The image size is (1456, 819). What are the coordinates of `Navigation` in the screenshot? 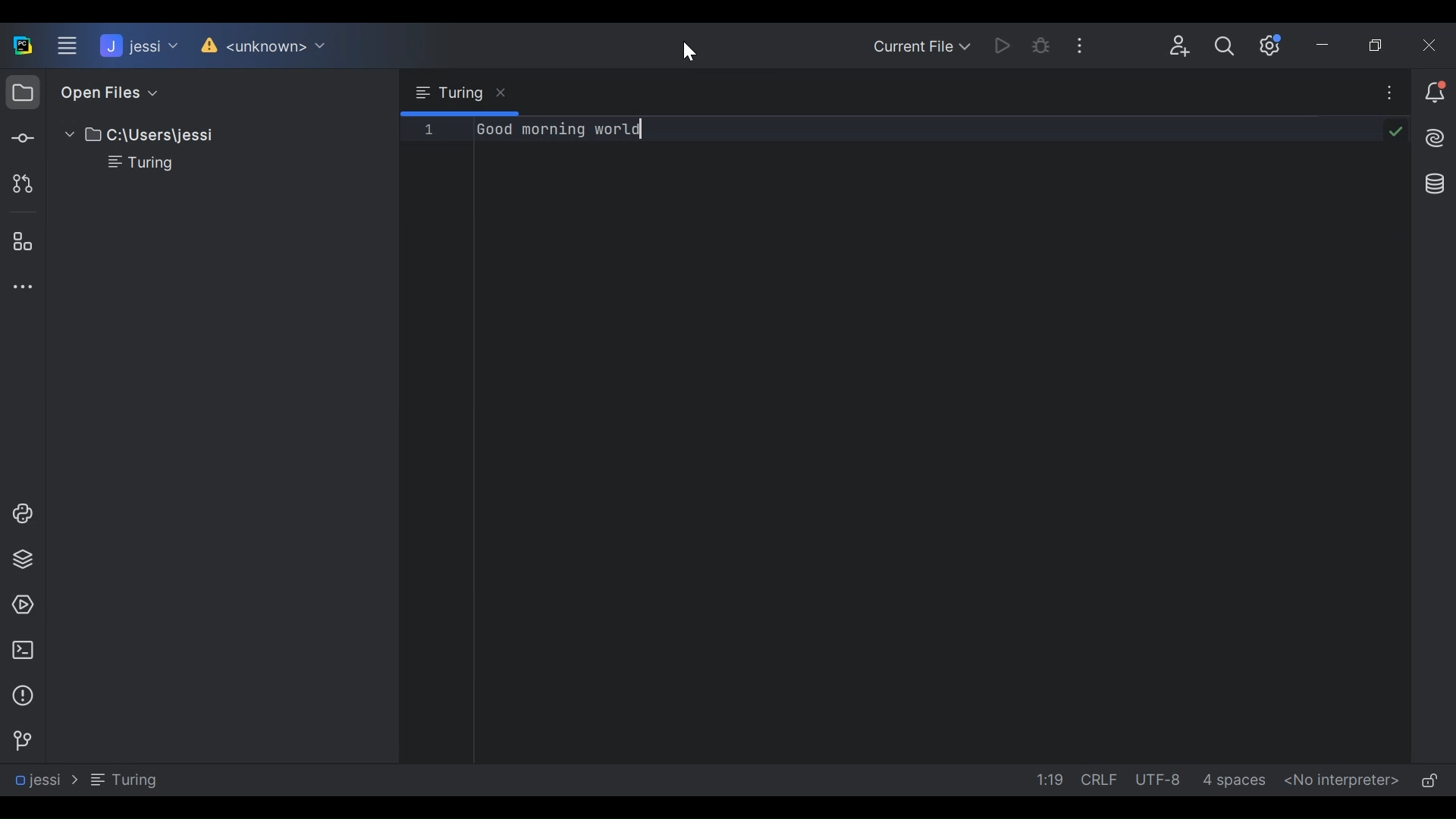 It's located at (83, 780).